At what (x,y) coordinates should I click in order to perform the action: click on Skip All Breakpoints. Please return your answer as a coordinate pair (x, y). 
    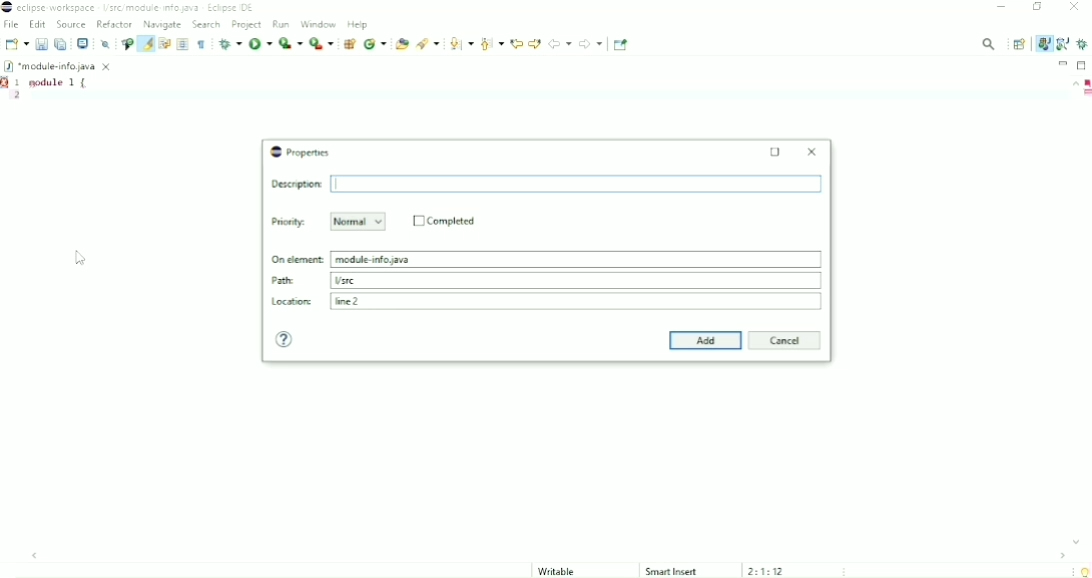
    Looking at the image, I should click on (103, 44).